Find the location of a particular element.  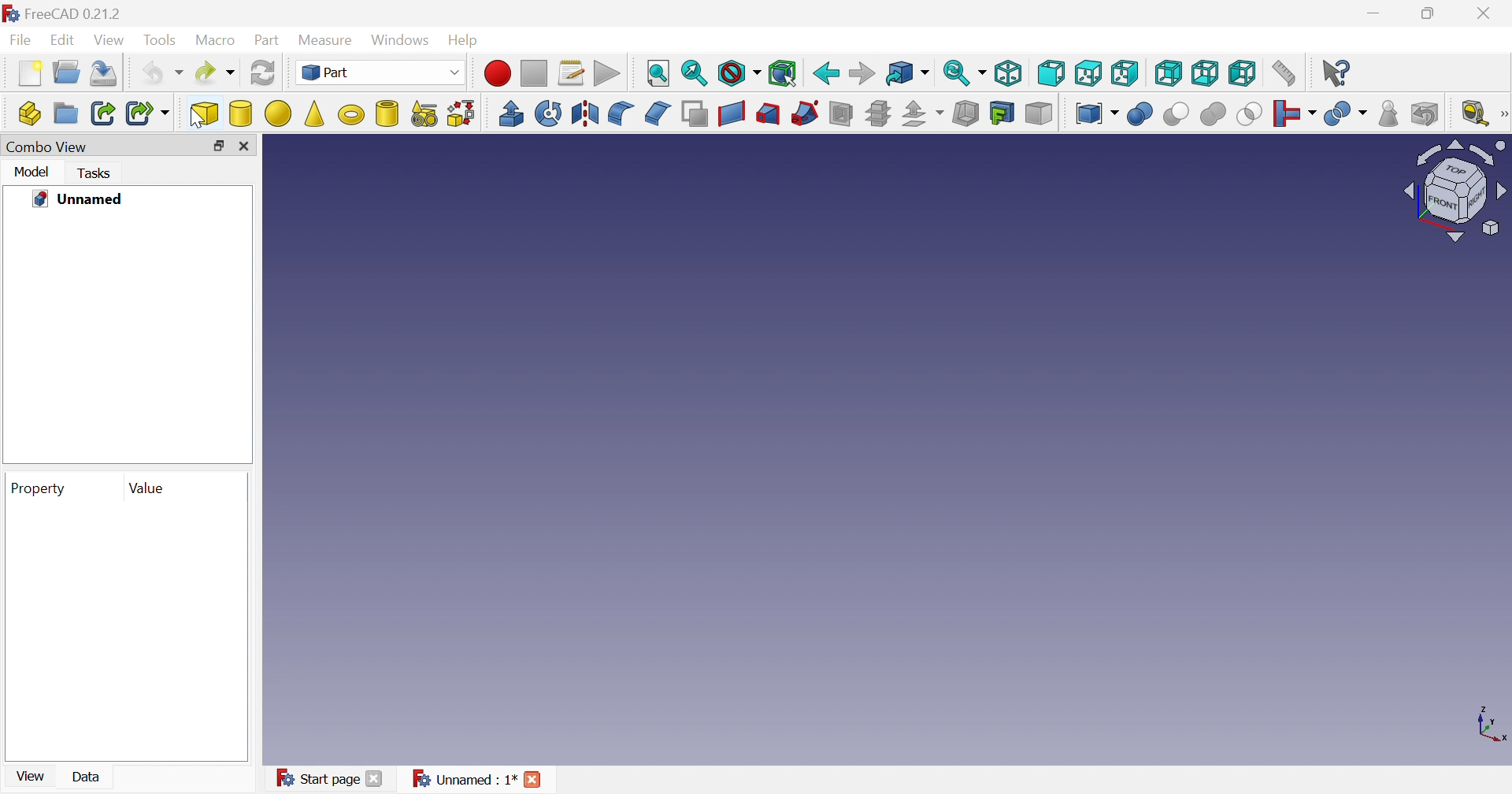

Close is located at coordinates (376, 777).